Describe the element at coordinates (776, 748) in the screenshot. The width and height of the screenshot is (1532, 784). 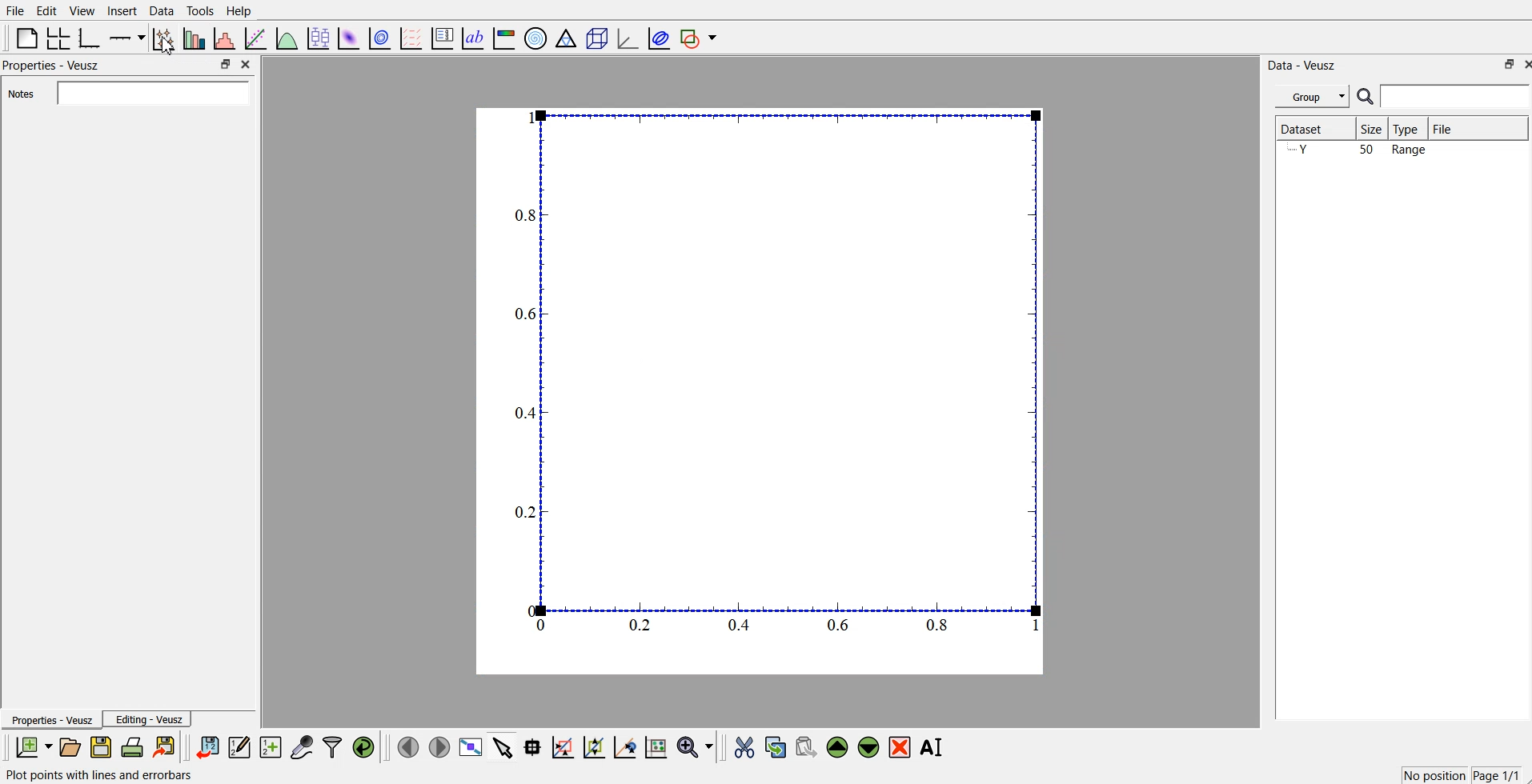
I see `copy the selected widgets` at that location.